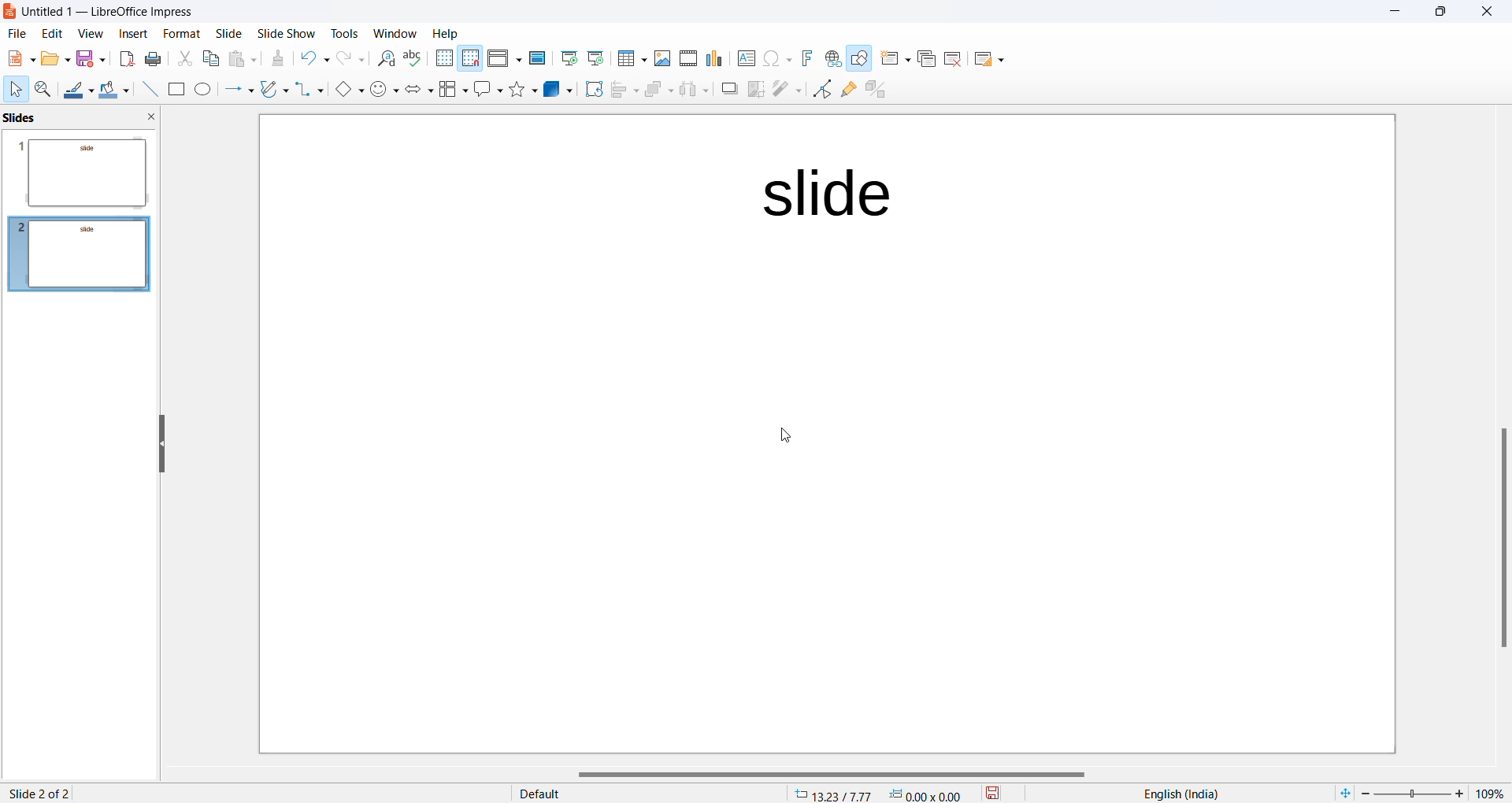 The height and width of the screenshot is (803, 1512). What do you see at coordinates (754, 90) in the screenshot?
I see `crop image` at bounding box center [754, 90].